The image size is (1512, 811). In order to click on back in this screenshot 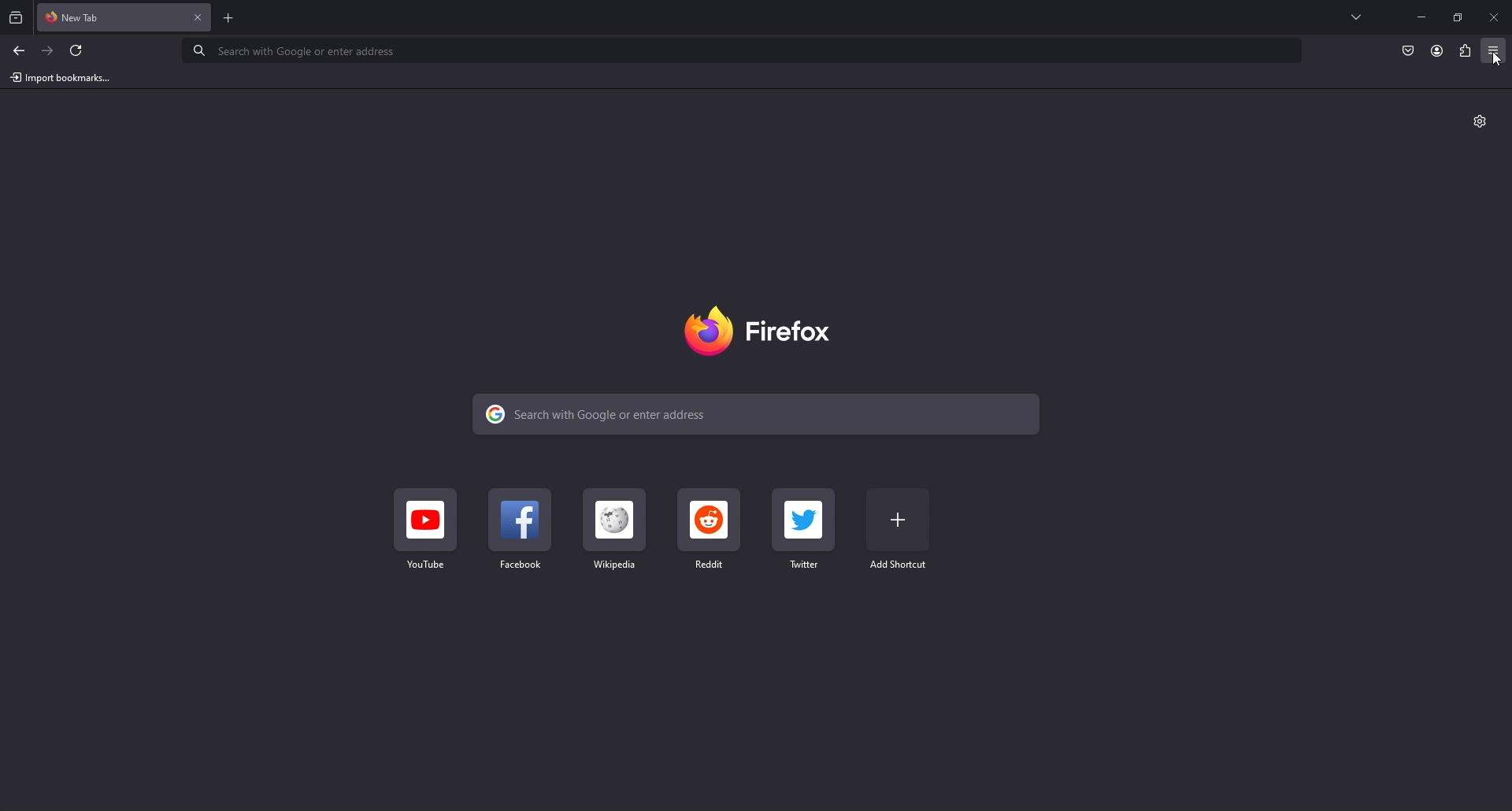, I will do `click(18, 50)`.